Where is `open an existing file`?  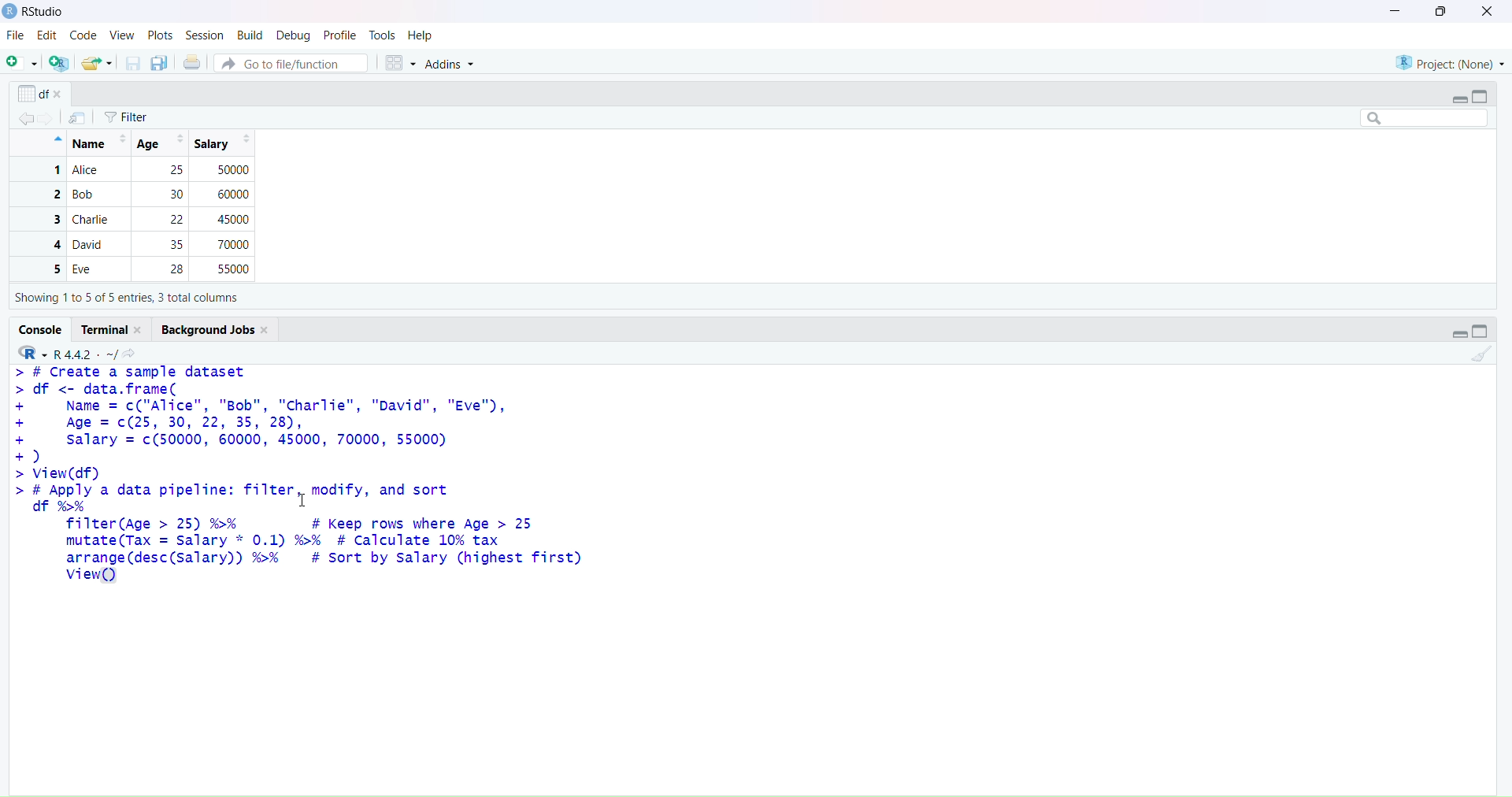
open an existing file is located at coordinates (98, 65).